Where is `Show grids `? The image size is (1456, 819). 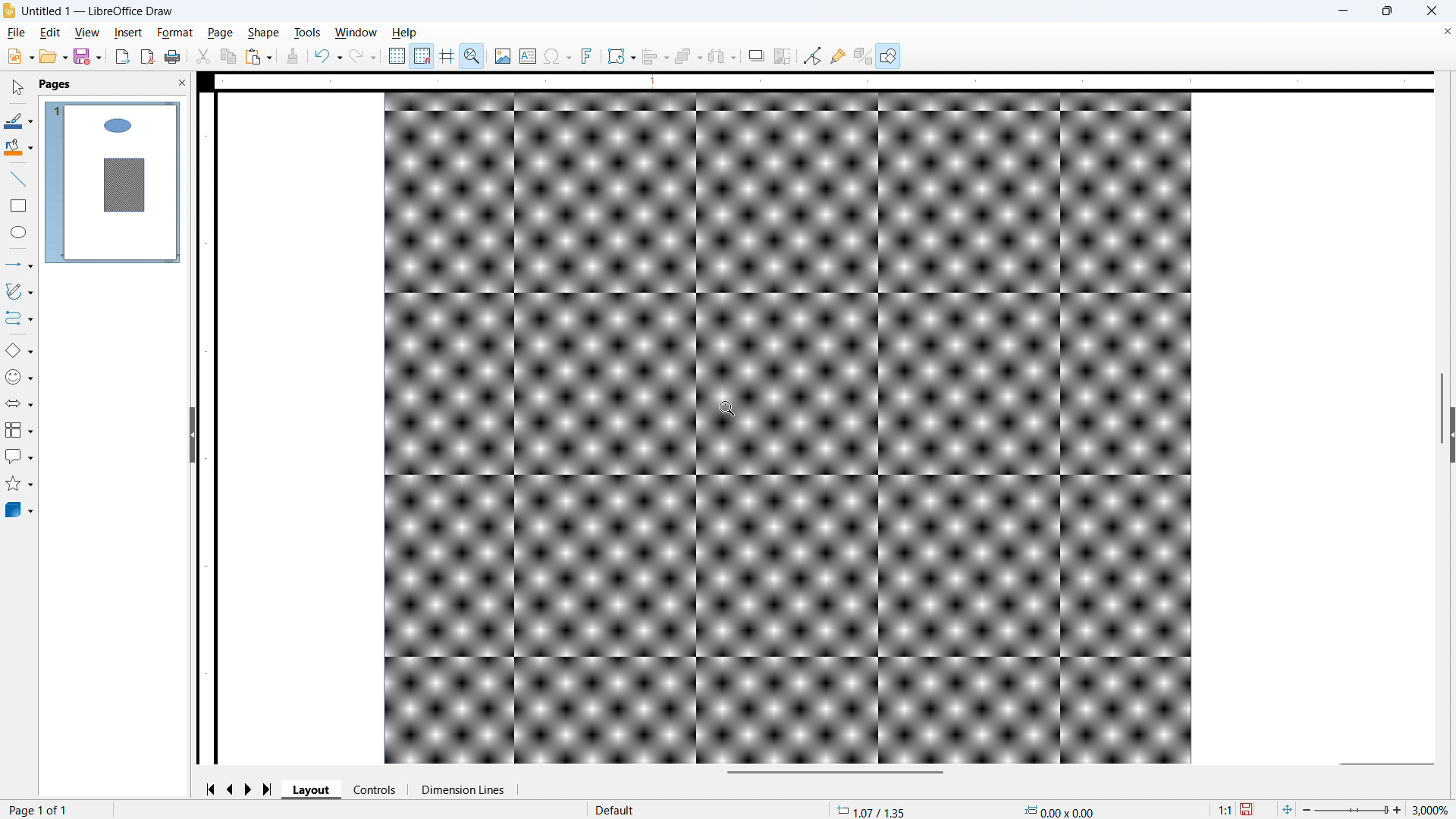
Show grids  is located at coordinates (397, 55).